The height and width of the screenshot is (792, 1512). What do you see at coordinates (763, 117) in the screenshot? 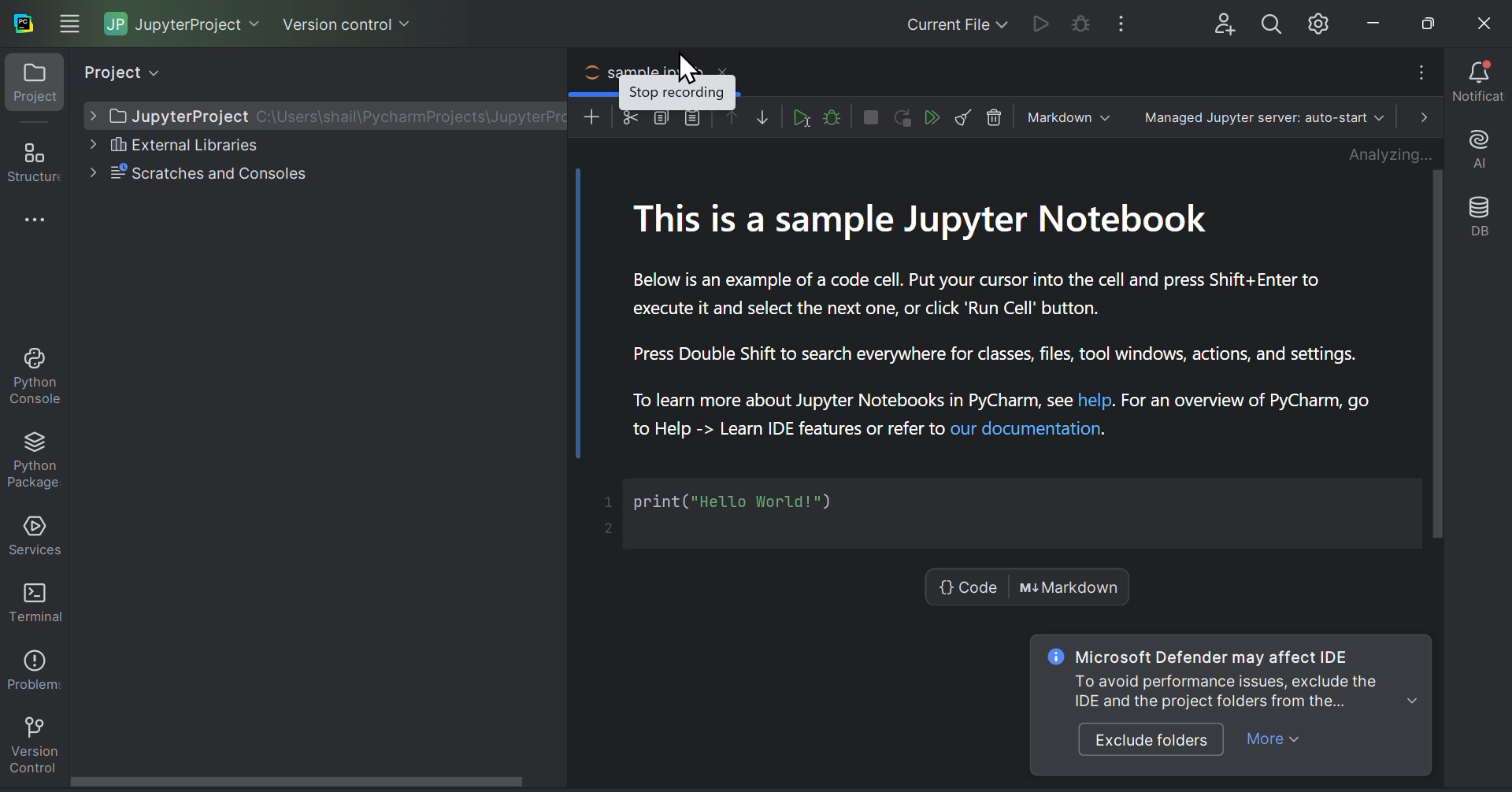
I see `move cell down` at bounding box center [763, 117].